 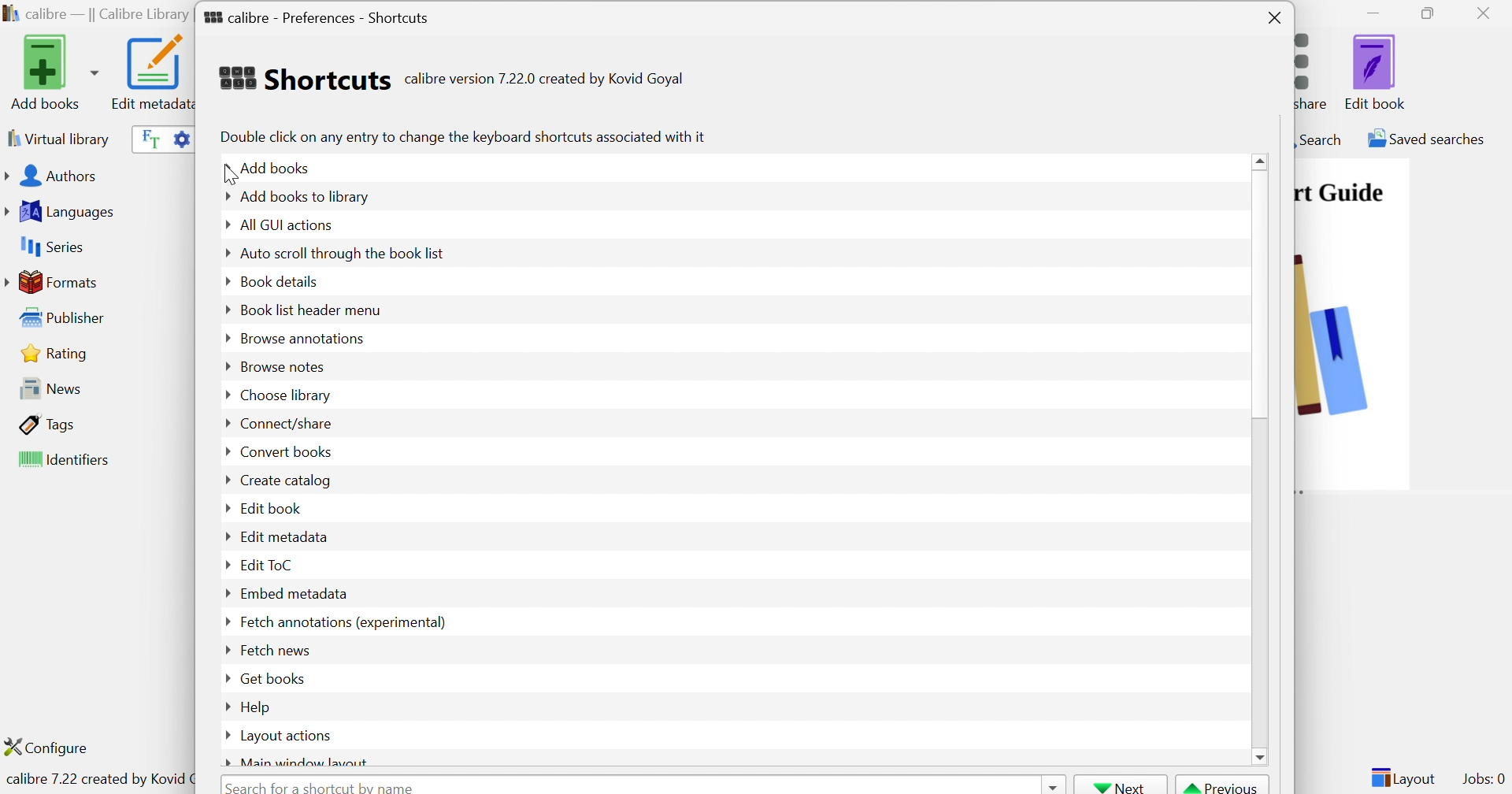 I want to click on Convert books, so click(x=284, y=451).